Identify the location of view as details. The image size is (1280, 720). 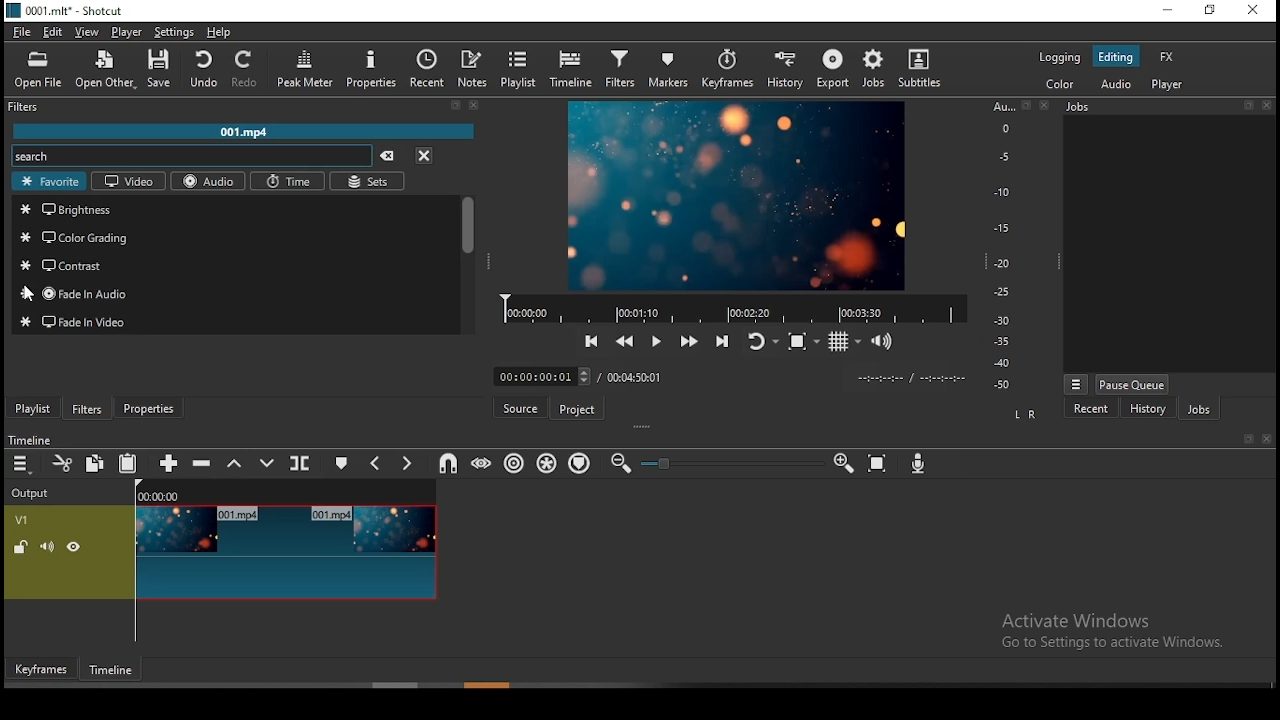
(200, 378).